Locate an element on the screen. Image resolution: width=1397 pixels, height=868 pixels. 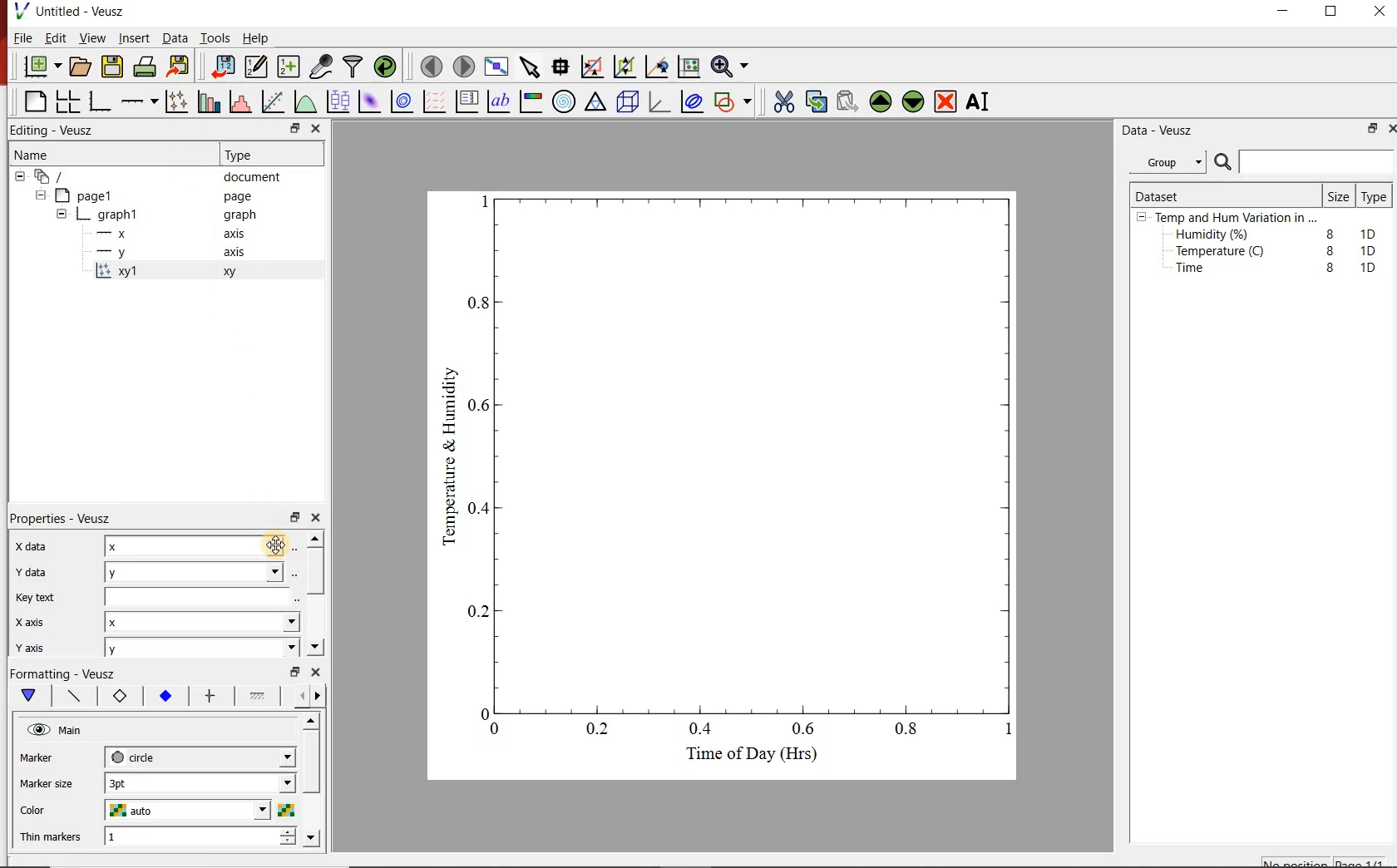
Color is located at coordinates (52, 811).